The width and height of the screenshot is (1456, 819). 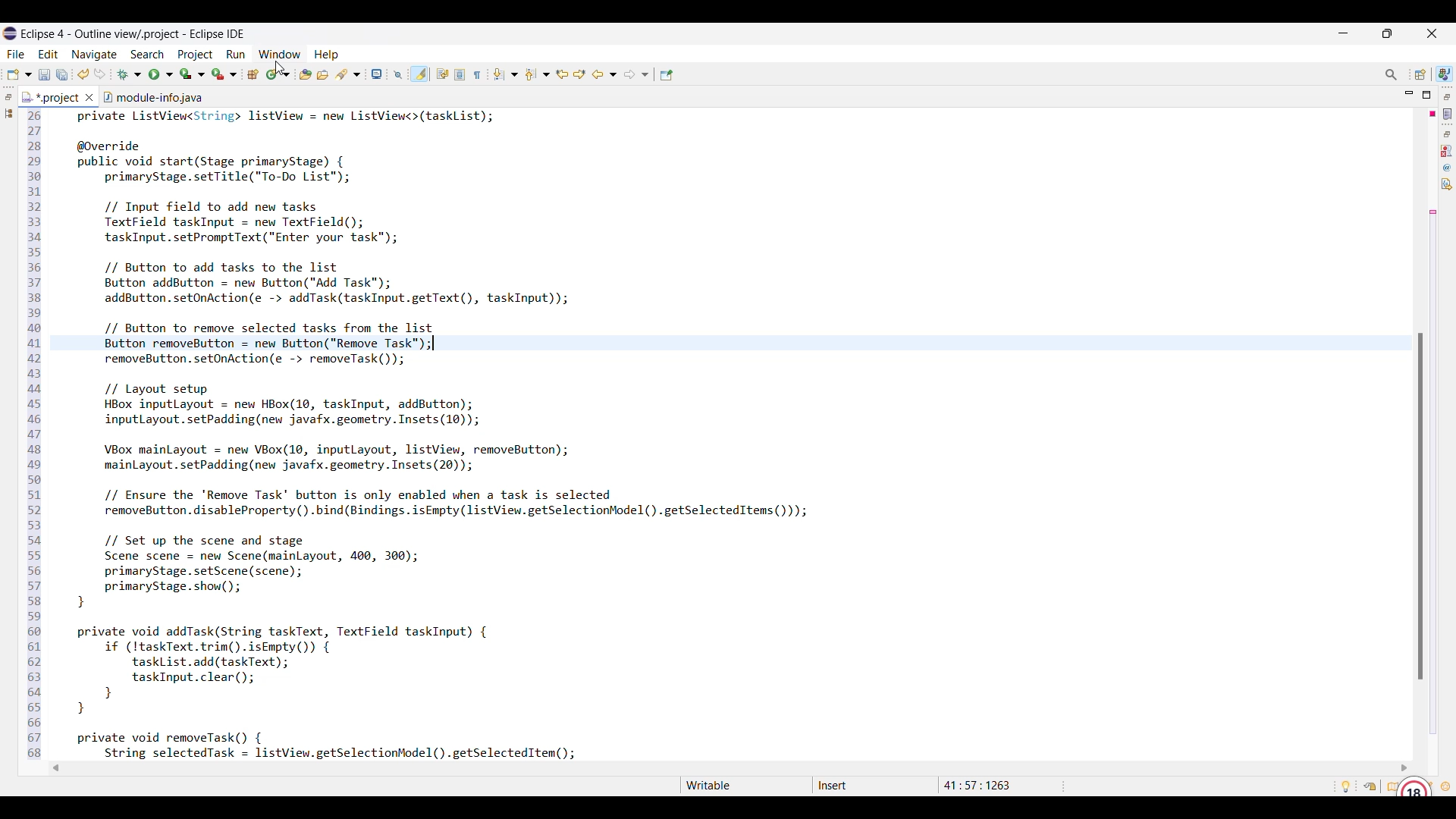 What do you see at coordinates (35, 436) in the screenshot?
I see `line number` at bounding box center [35, 436].